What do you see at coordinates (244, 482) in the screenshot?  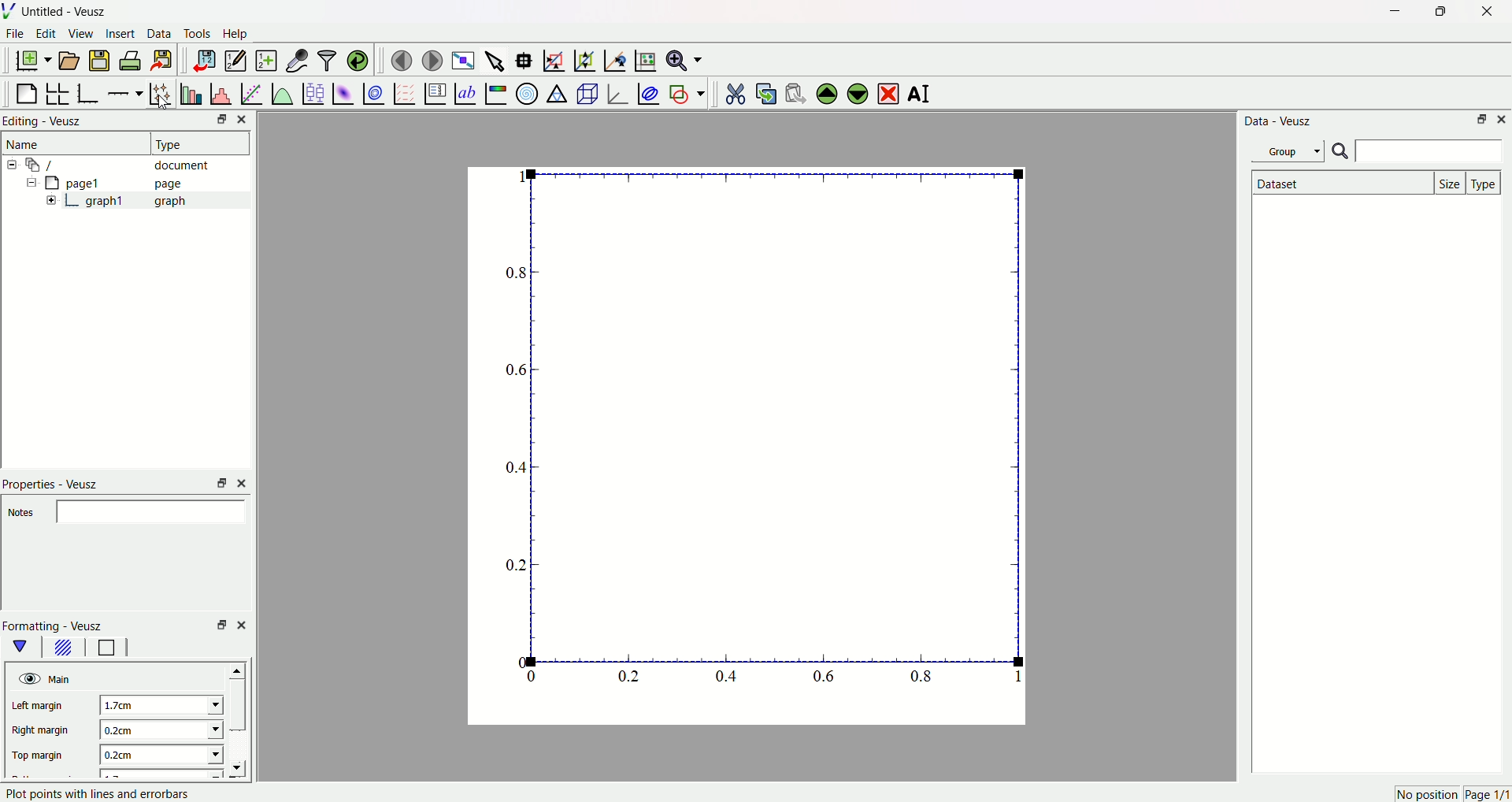 I see `close` at bounding box center [244, 482].